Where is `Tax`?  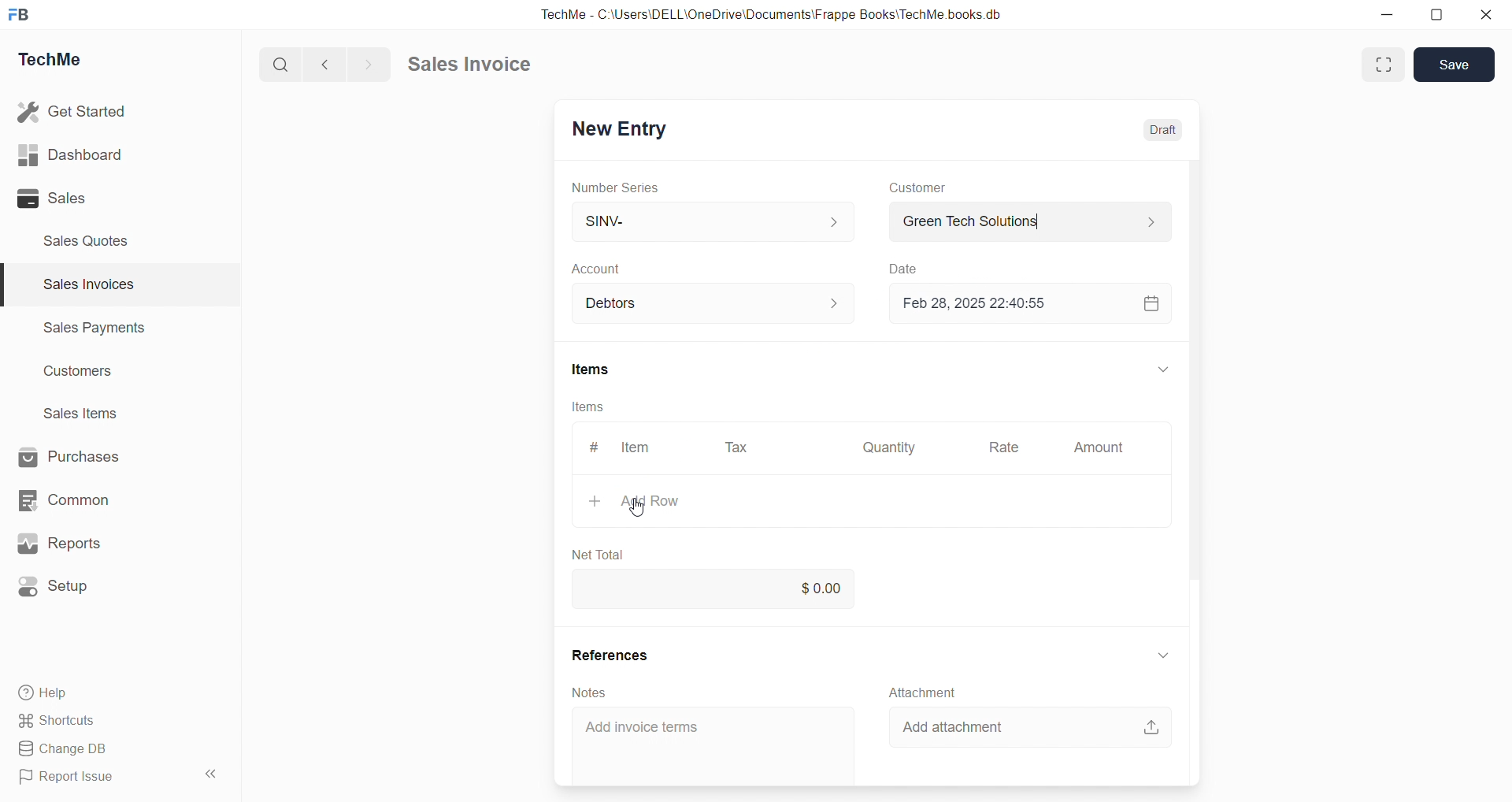 Tax is located at coordinates (736, 448).